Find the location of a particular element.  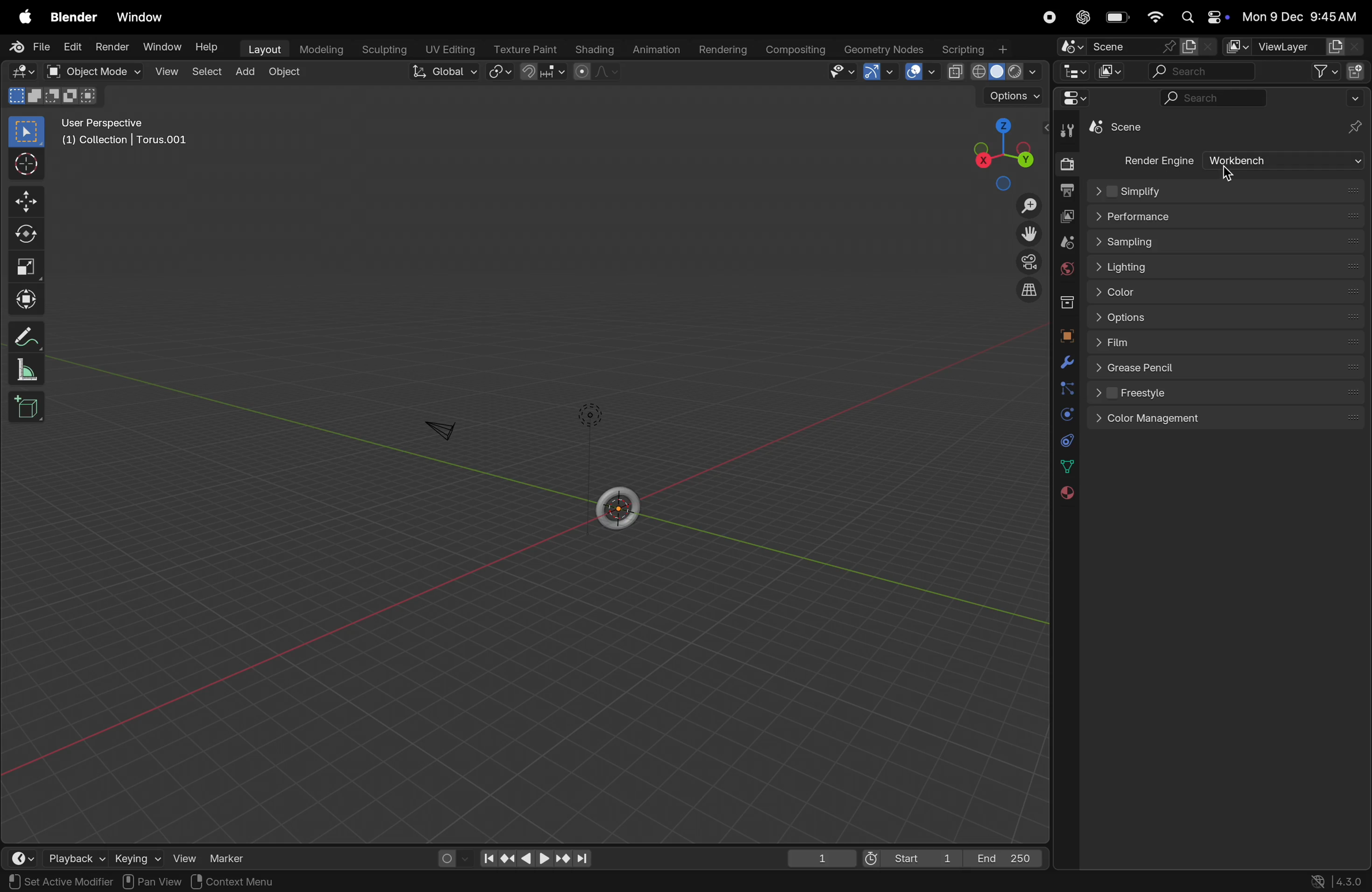

composting is located at coordinates (797, 50).